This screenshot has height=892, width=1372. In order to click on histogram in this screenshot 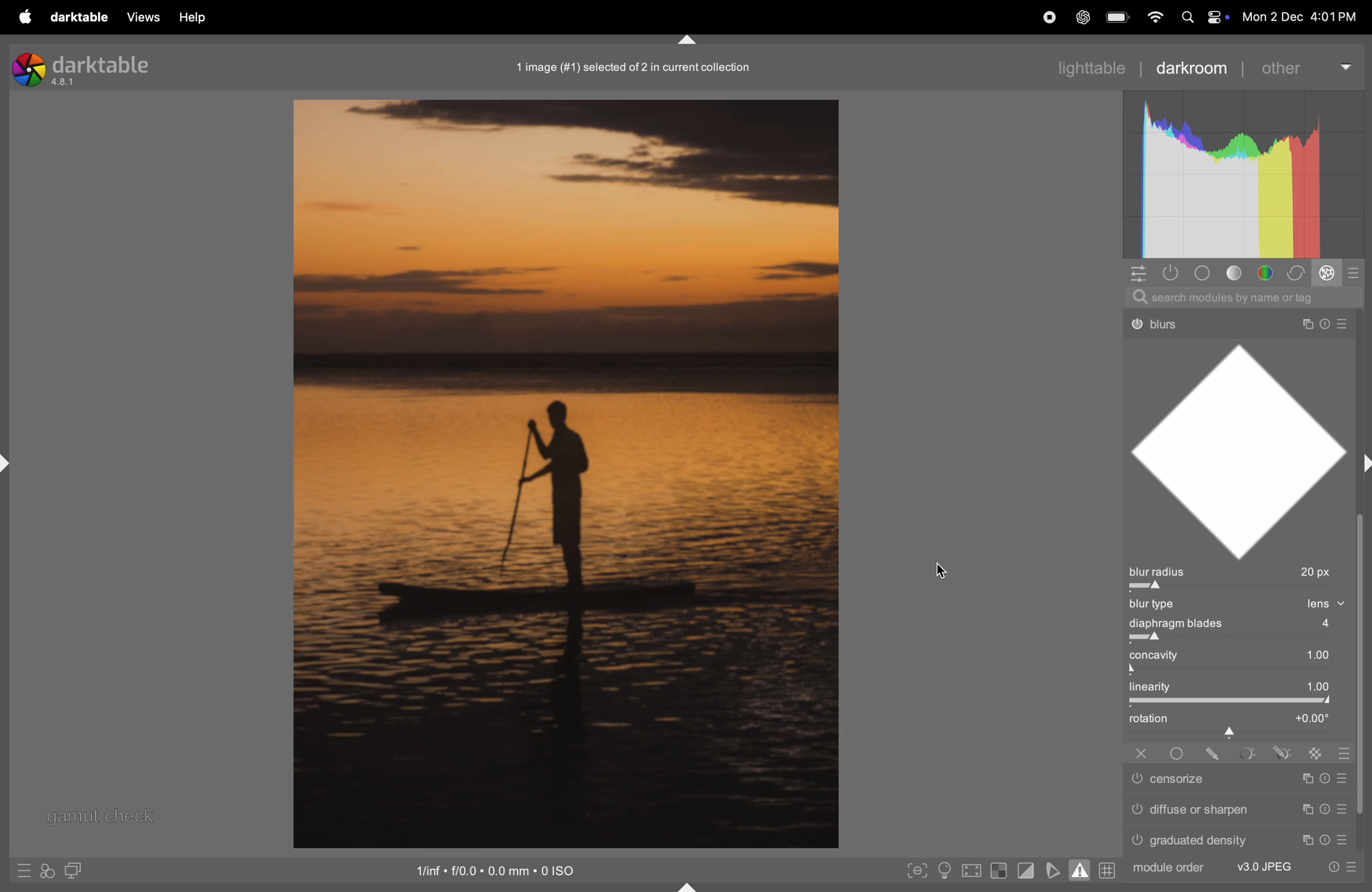, I will do `click(1242, 176)`.